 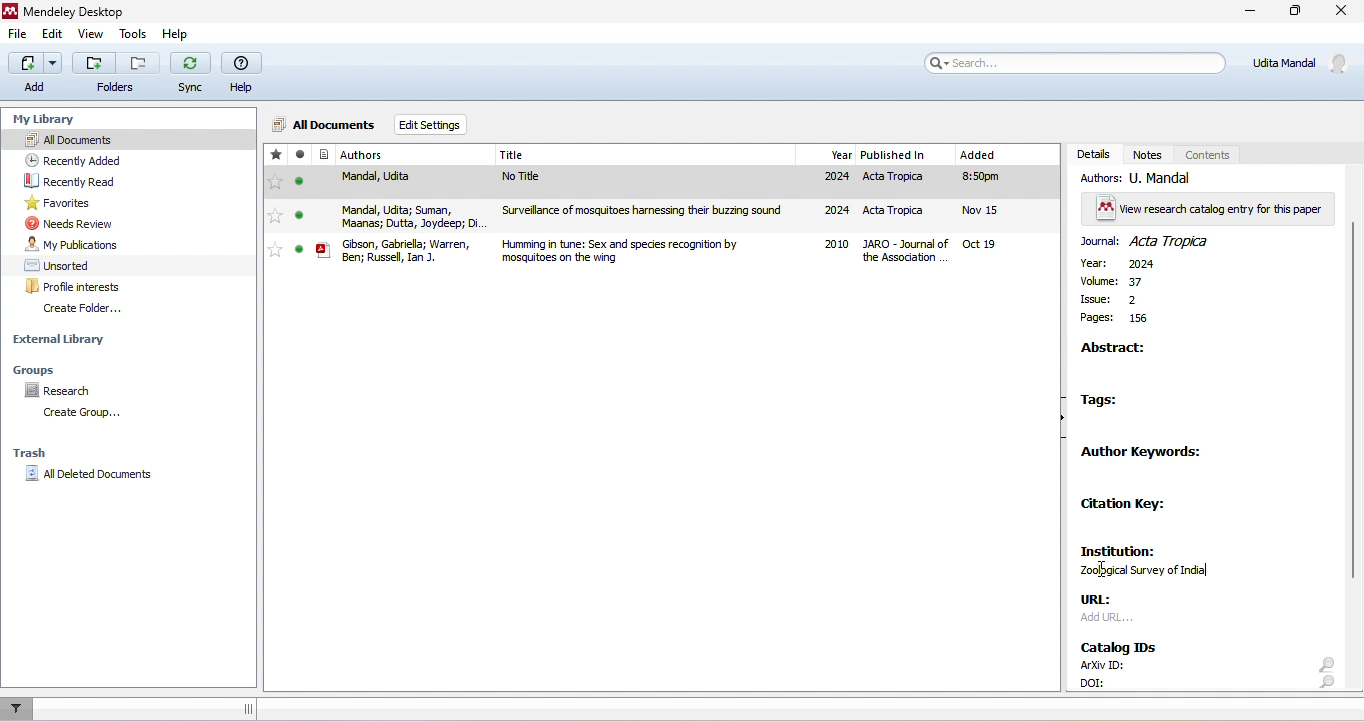 I want to click on title, so click(x=647, y=155).